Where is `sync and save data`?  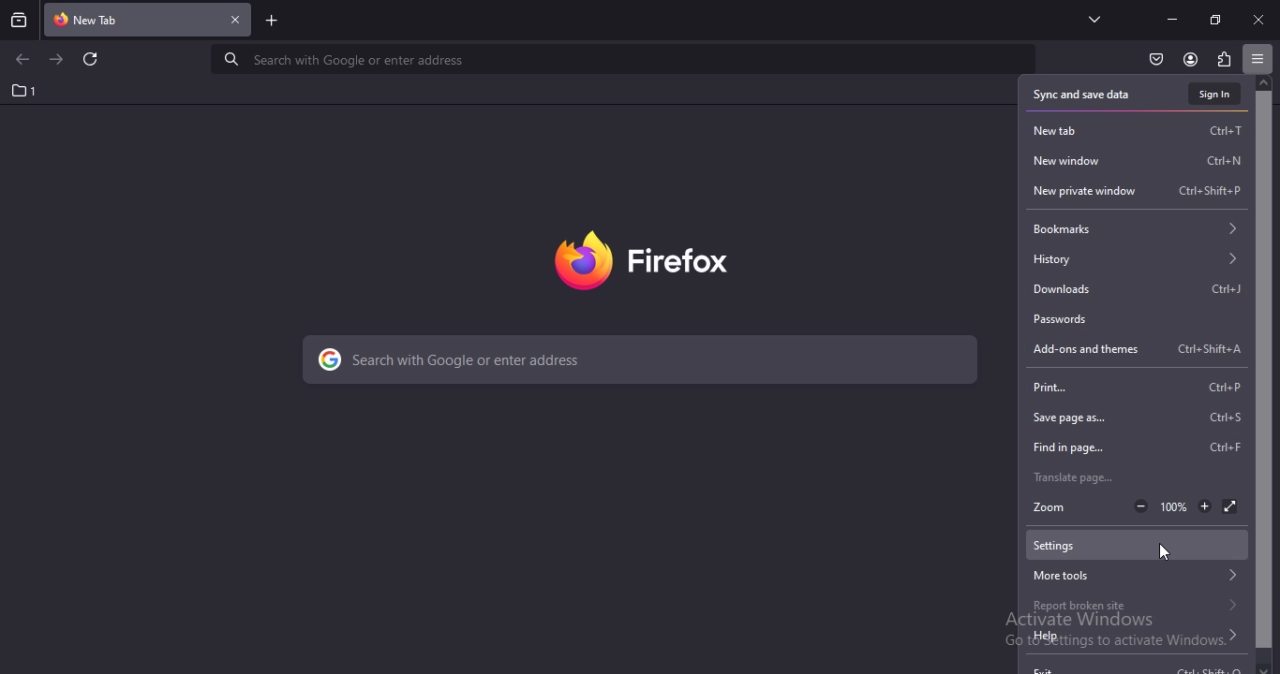 sync and save data is located at coordinates (1086, 94).